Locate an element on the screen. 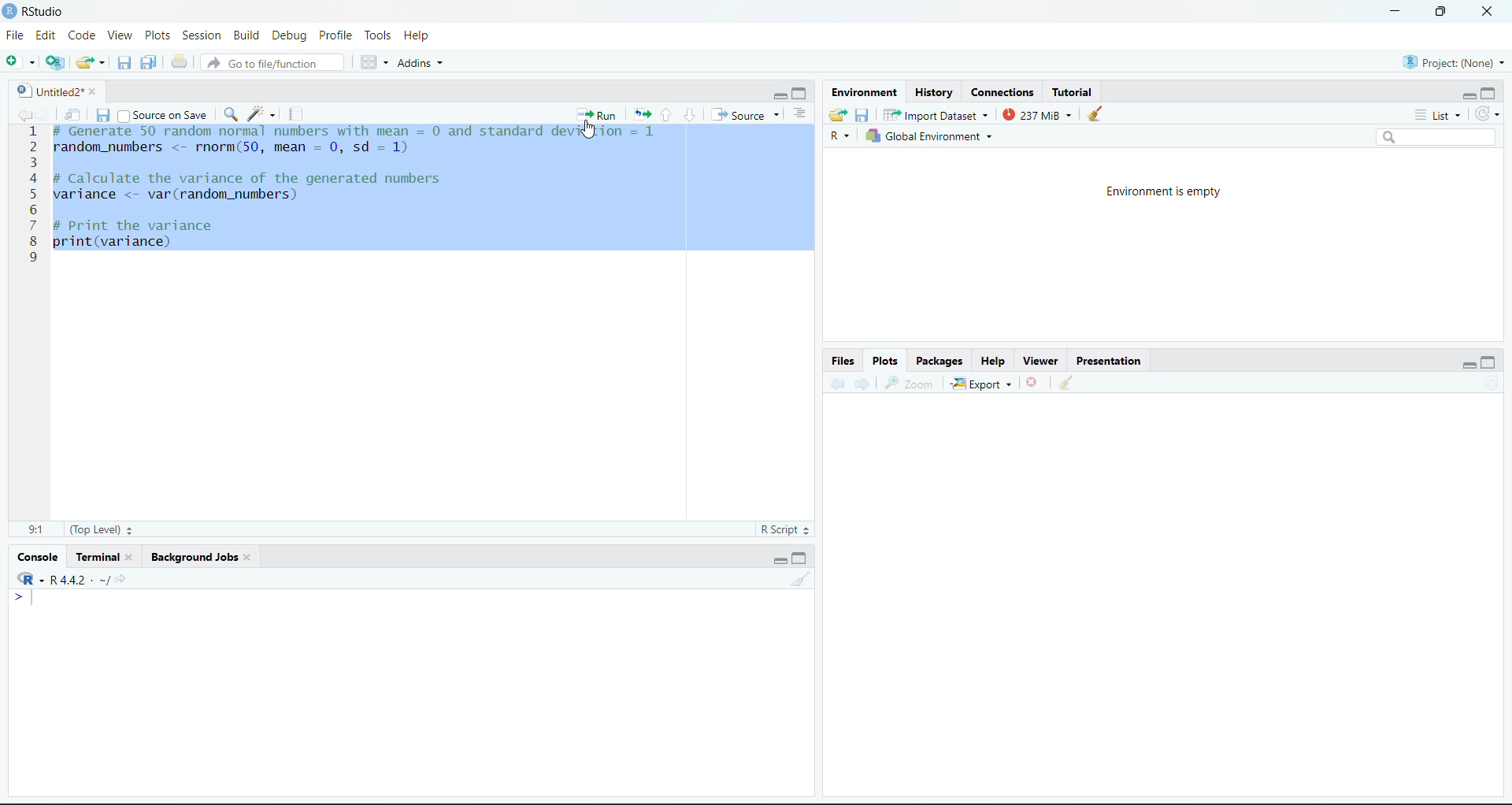  Terminal is located at coordinates (97, 557).